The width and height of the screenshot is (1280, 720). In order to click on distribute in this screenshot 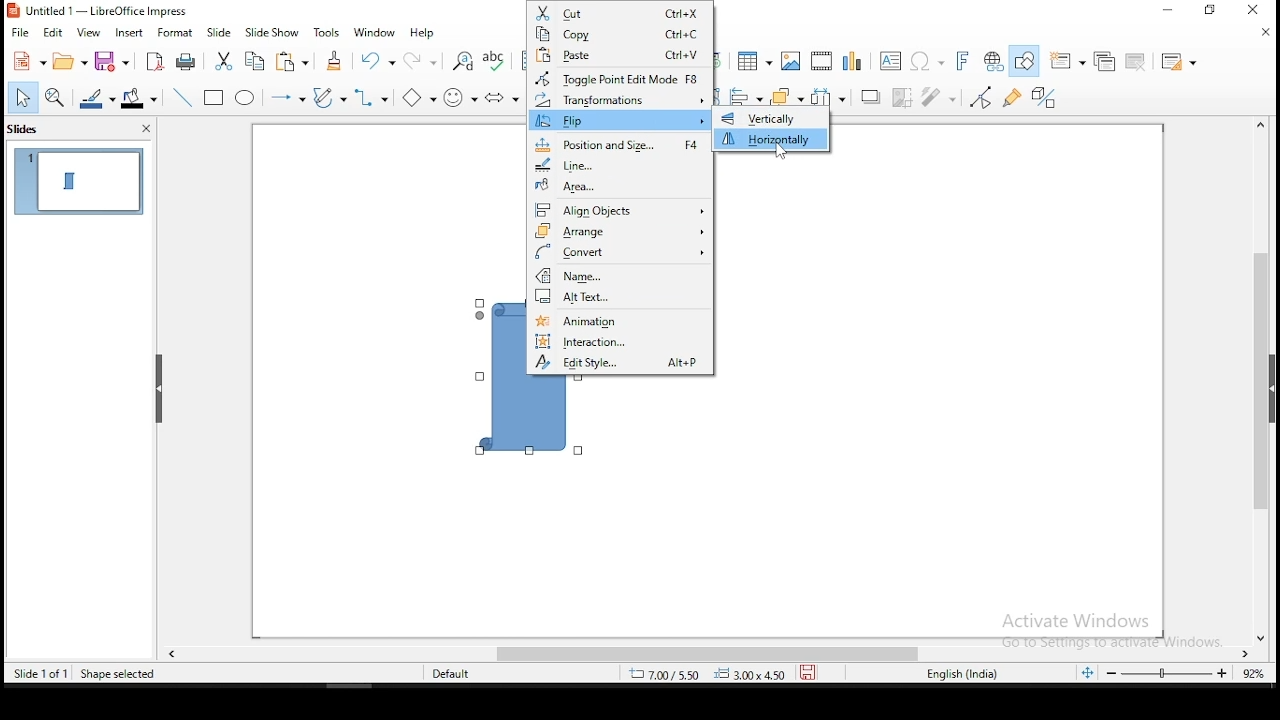, I will do `click(827, 99)`.